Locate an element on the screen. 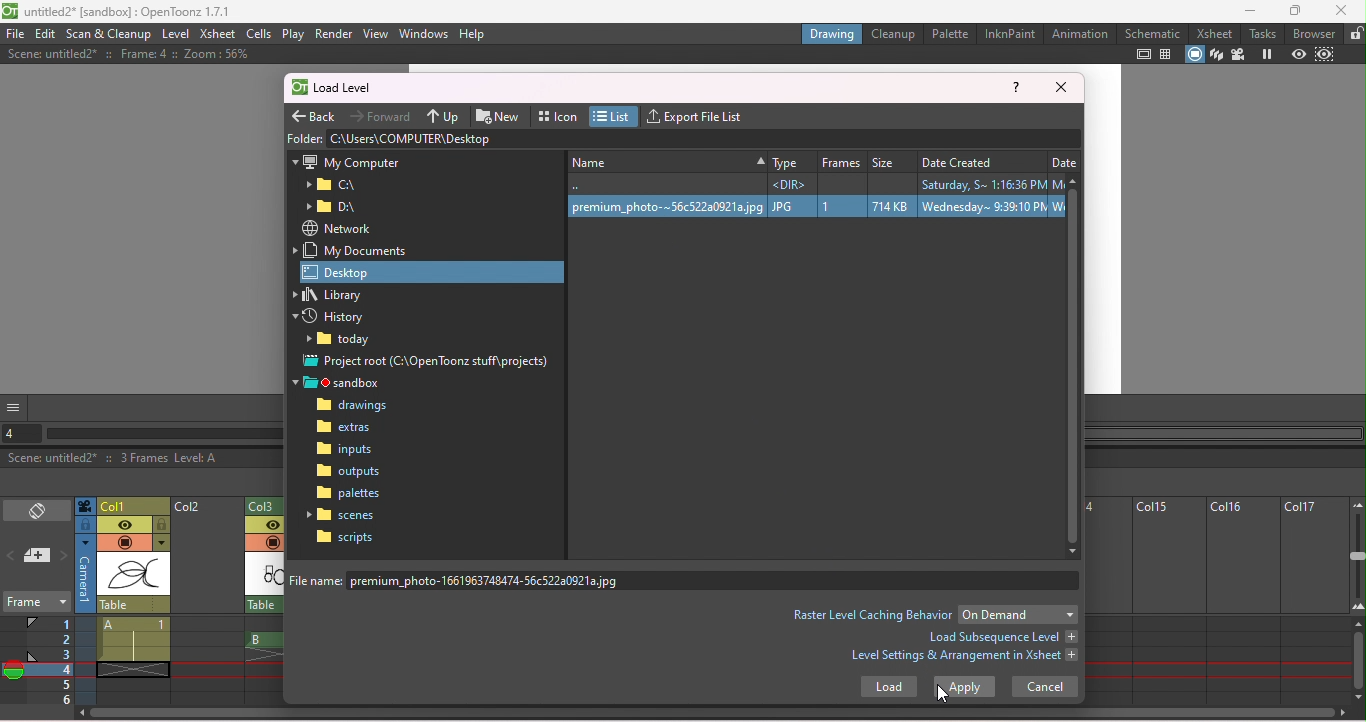  Animatio is located at coordinates (1079, 33).